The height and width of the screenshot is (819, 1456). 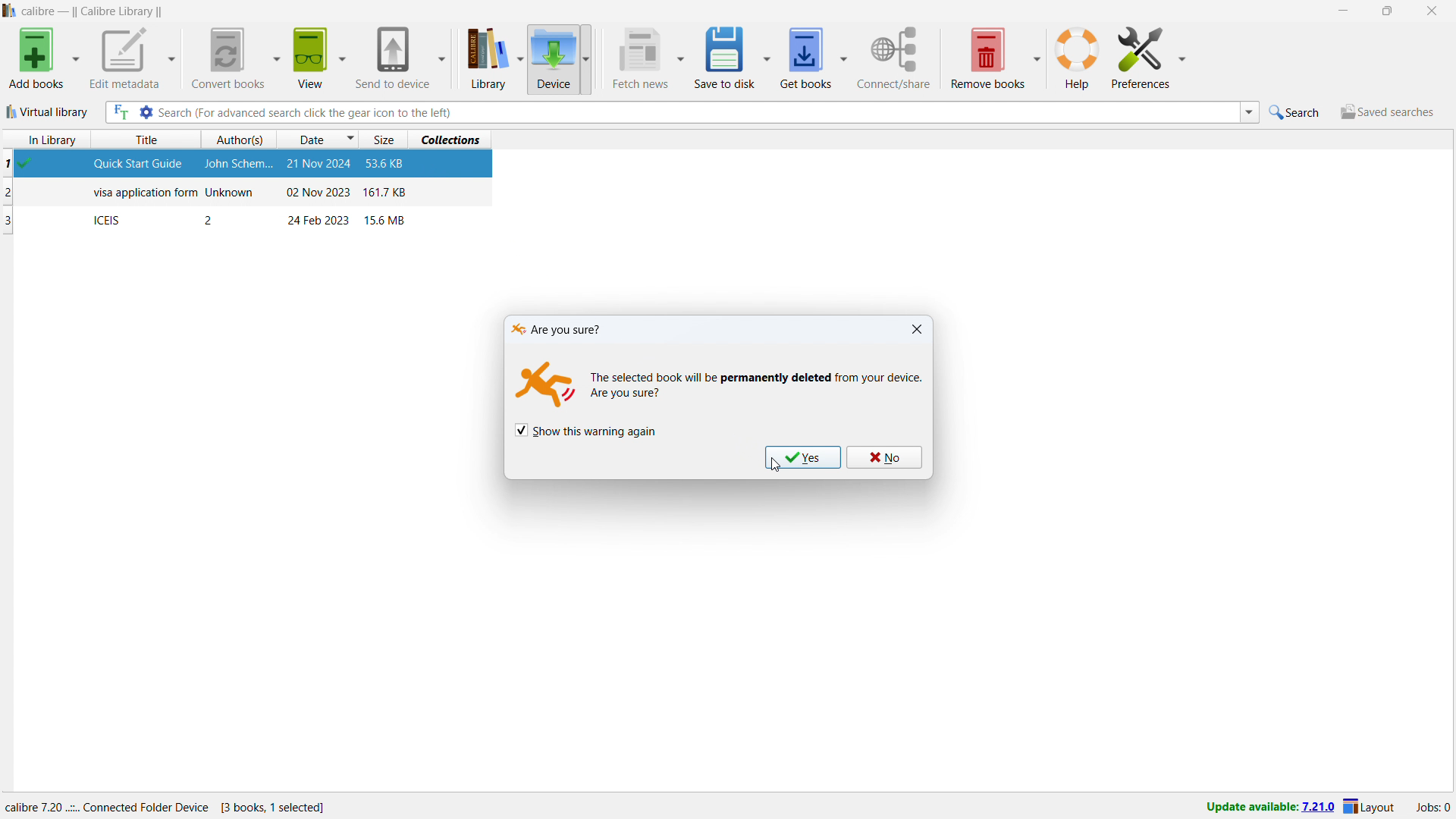 I want to click on maximize, so click(x=1385, y=11).